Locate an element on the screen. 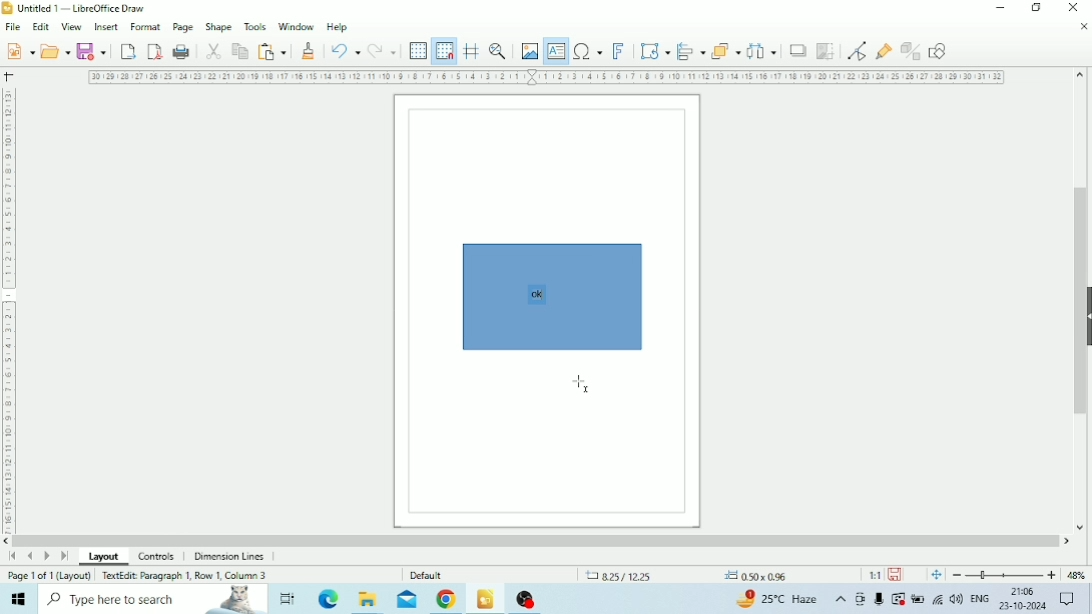 Image resolution: width=1092 pixels, height=614 pixels. Clone Formatting is located at coordinates (310, 51).